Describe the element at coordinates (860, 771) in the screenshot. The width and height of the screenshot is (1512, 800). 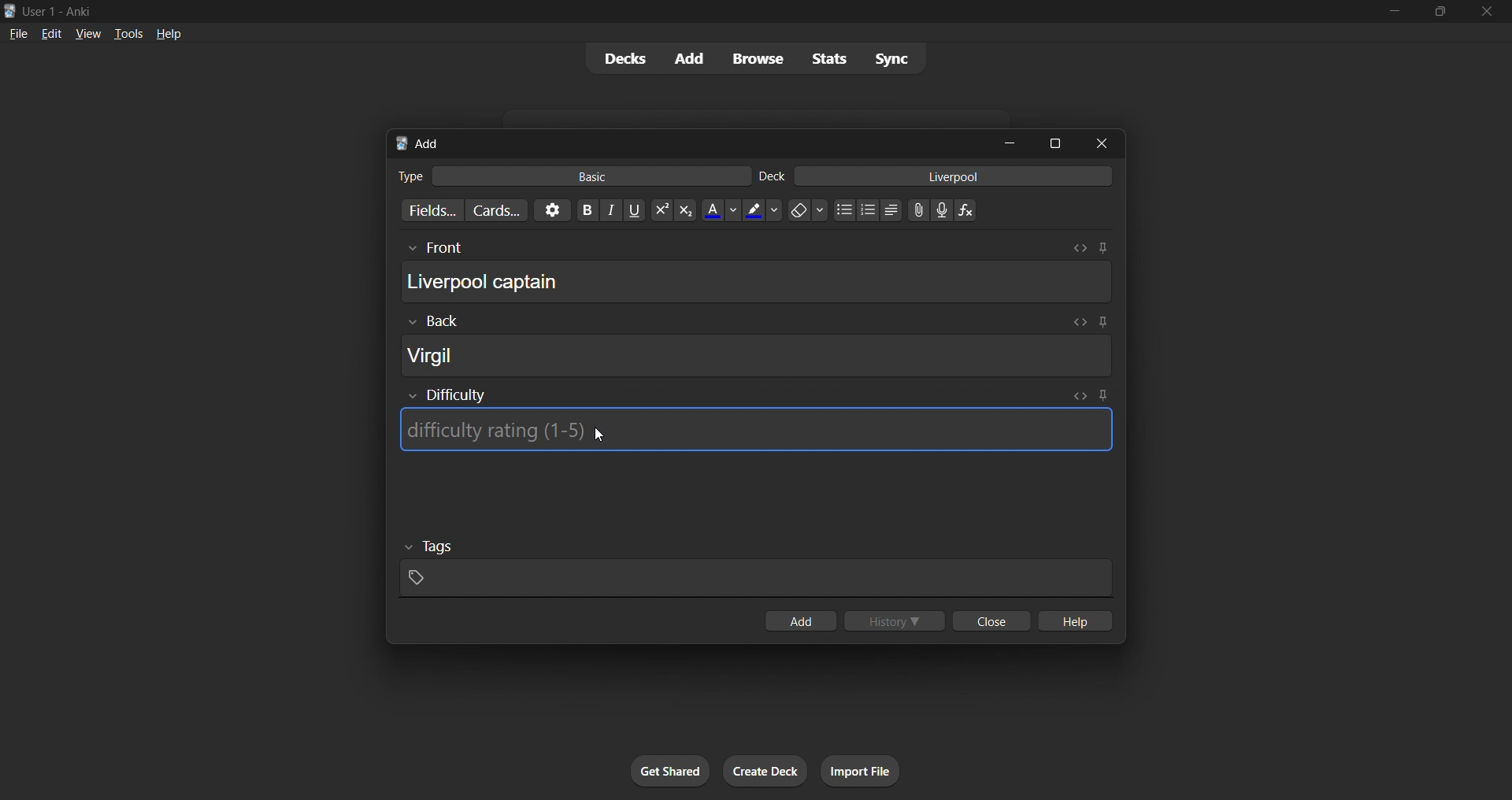
I see `import file` at that location.